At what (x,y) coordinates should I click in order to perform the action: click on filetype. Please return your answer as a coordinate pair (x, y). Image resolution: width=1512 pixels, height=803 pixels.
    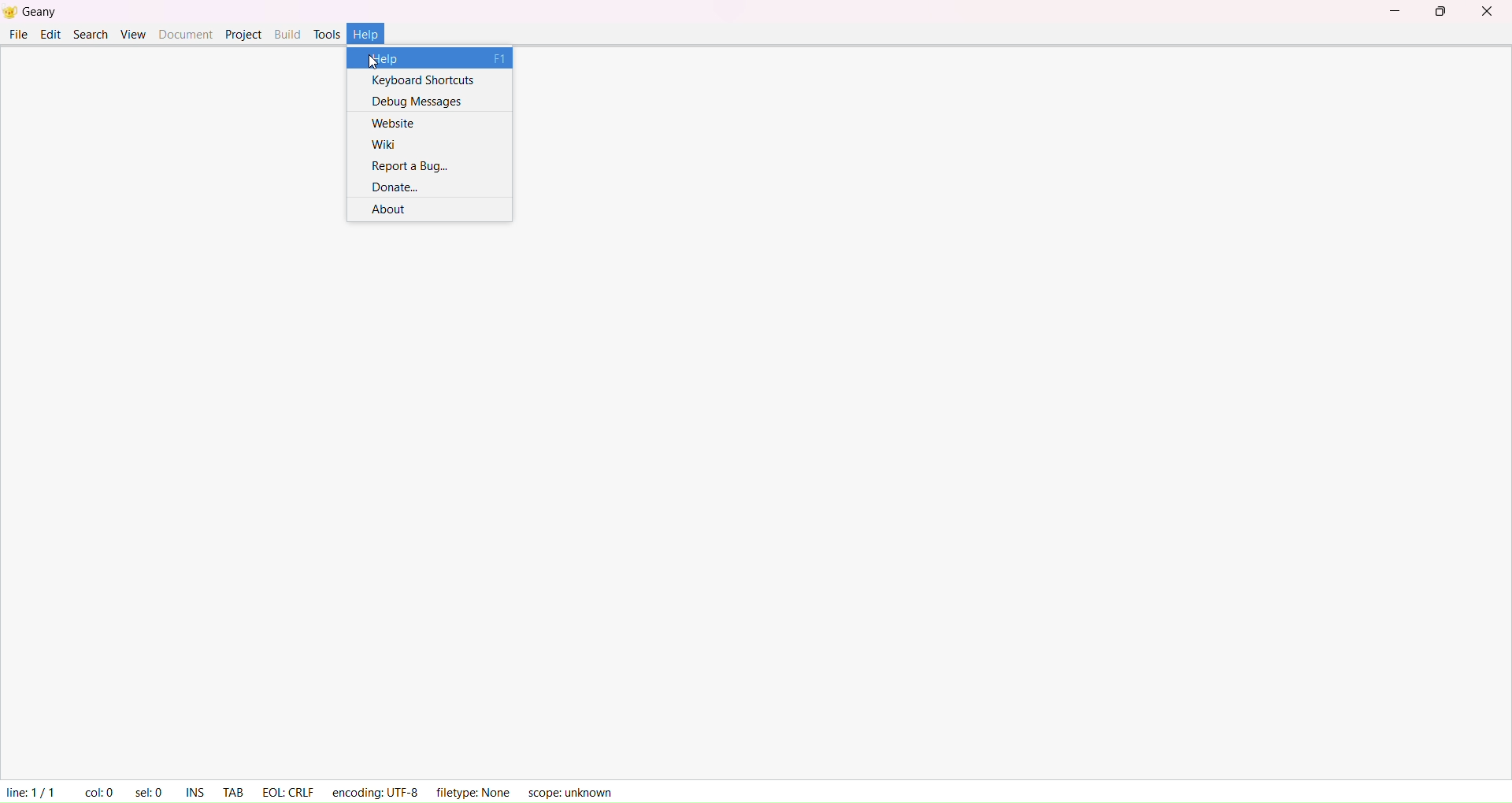
    Looking at the image, I should click on (472, 791).